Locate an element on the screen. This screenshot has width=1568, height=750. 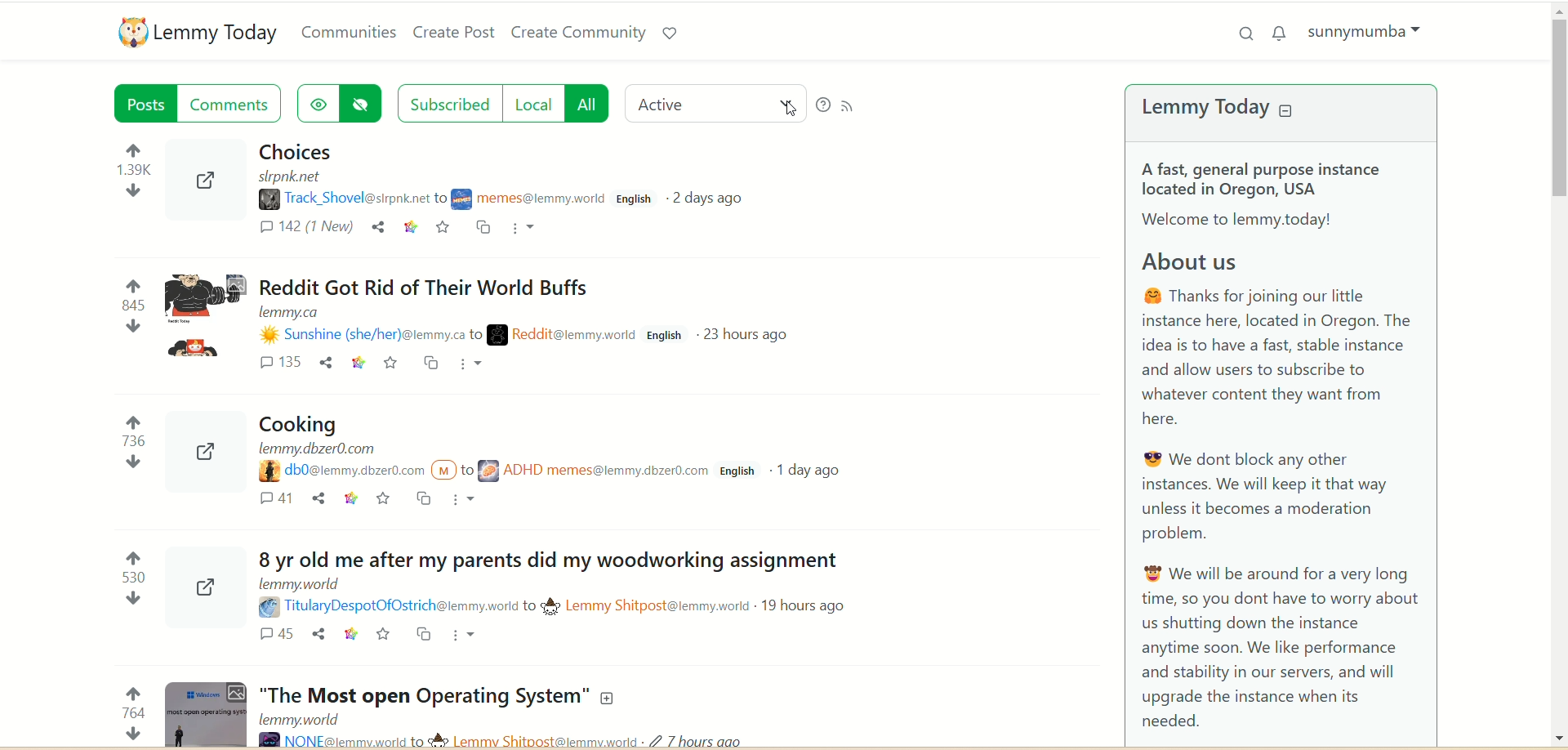
Post on "Reddit Got Rid of Their World Buffs" is located at coordinates (403, 306).